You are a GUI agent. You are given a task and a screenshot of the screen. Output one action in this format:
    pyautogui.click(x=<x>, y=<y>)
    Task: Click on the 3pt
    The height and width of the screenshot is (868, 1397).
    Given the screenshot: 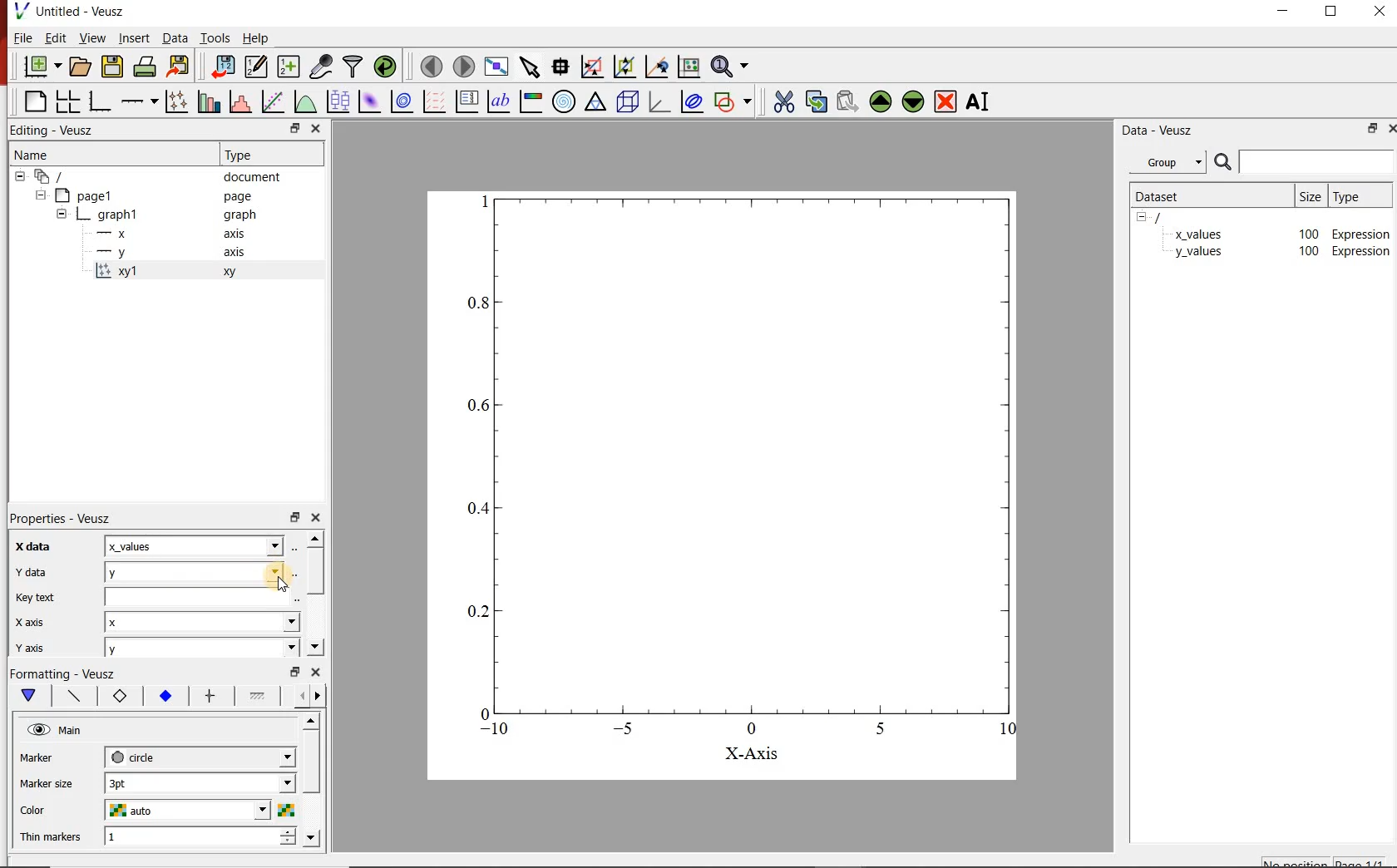 What is the action you would take?
    pyautogui.click(x=200, y=782)
    